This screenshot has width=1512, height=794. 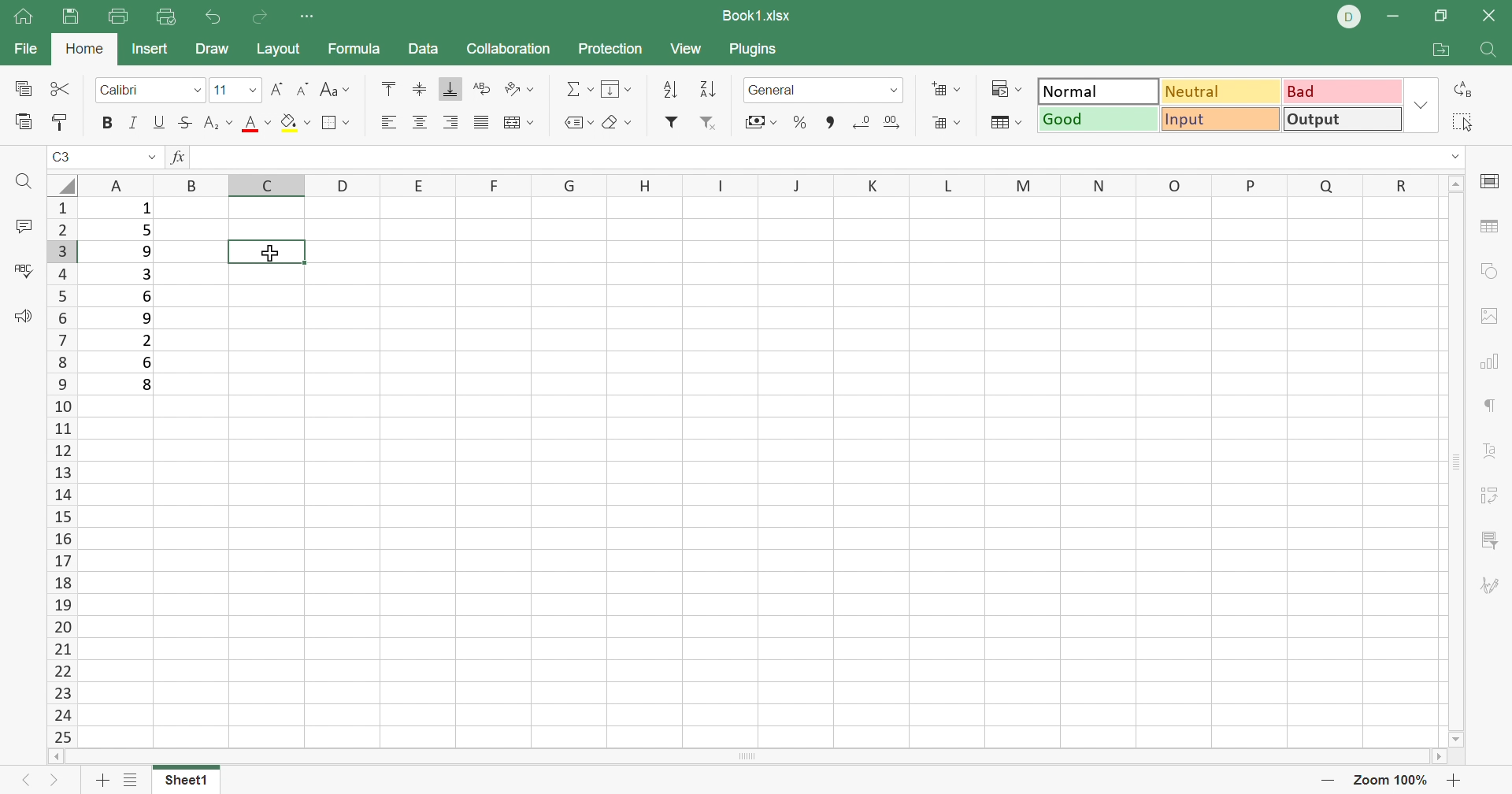 I want to click on Number format, so click(x=822, y=90).